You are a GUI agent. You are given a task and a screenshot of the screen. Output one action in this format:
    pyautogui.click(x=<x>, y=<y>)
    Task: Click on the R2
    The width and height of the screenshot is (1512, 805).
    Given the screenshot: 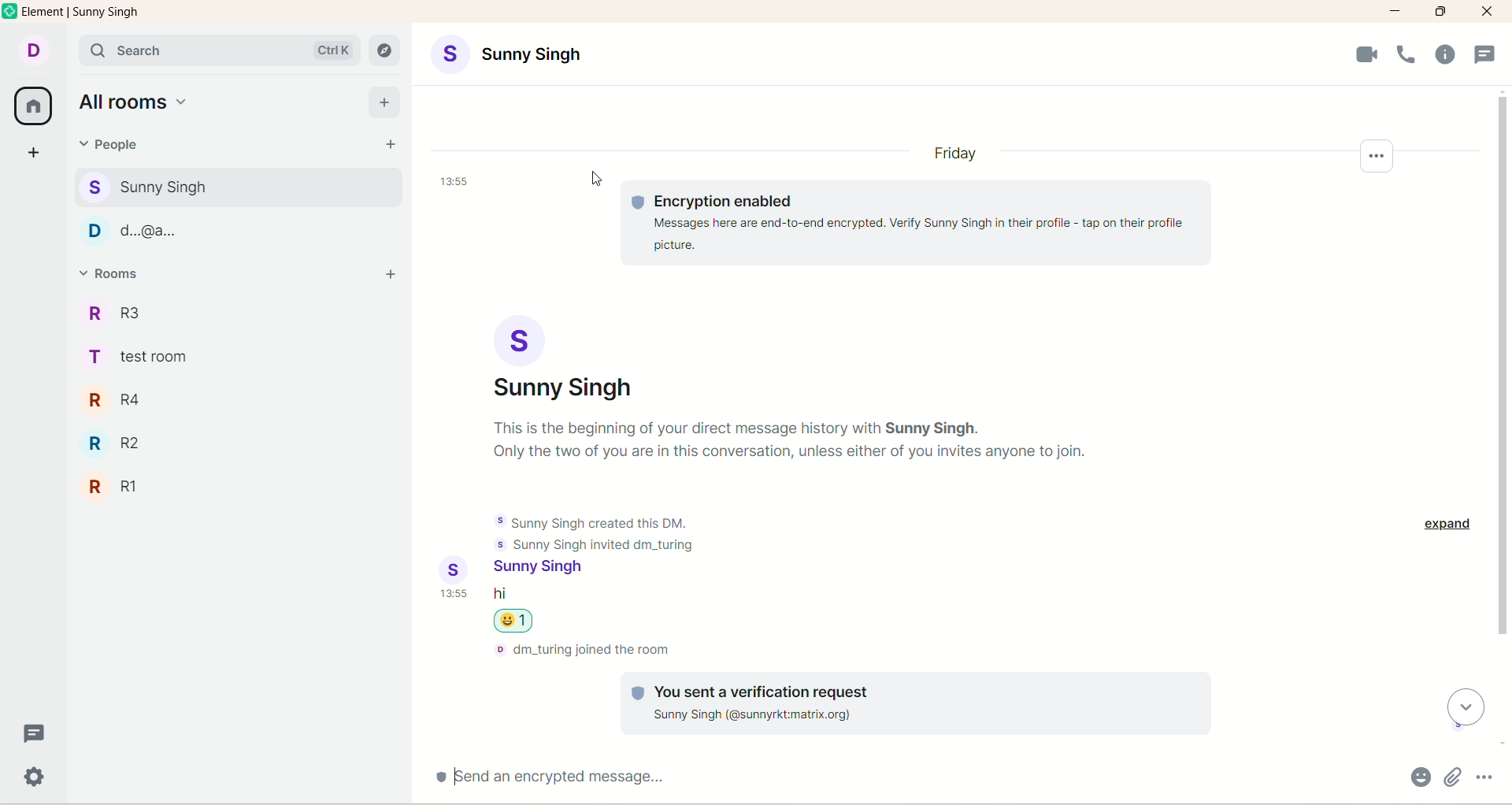 What is the action you would take?
    pyautogui.click(x=122, y=443)
    